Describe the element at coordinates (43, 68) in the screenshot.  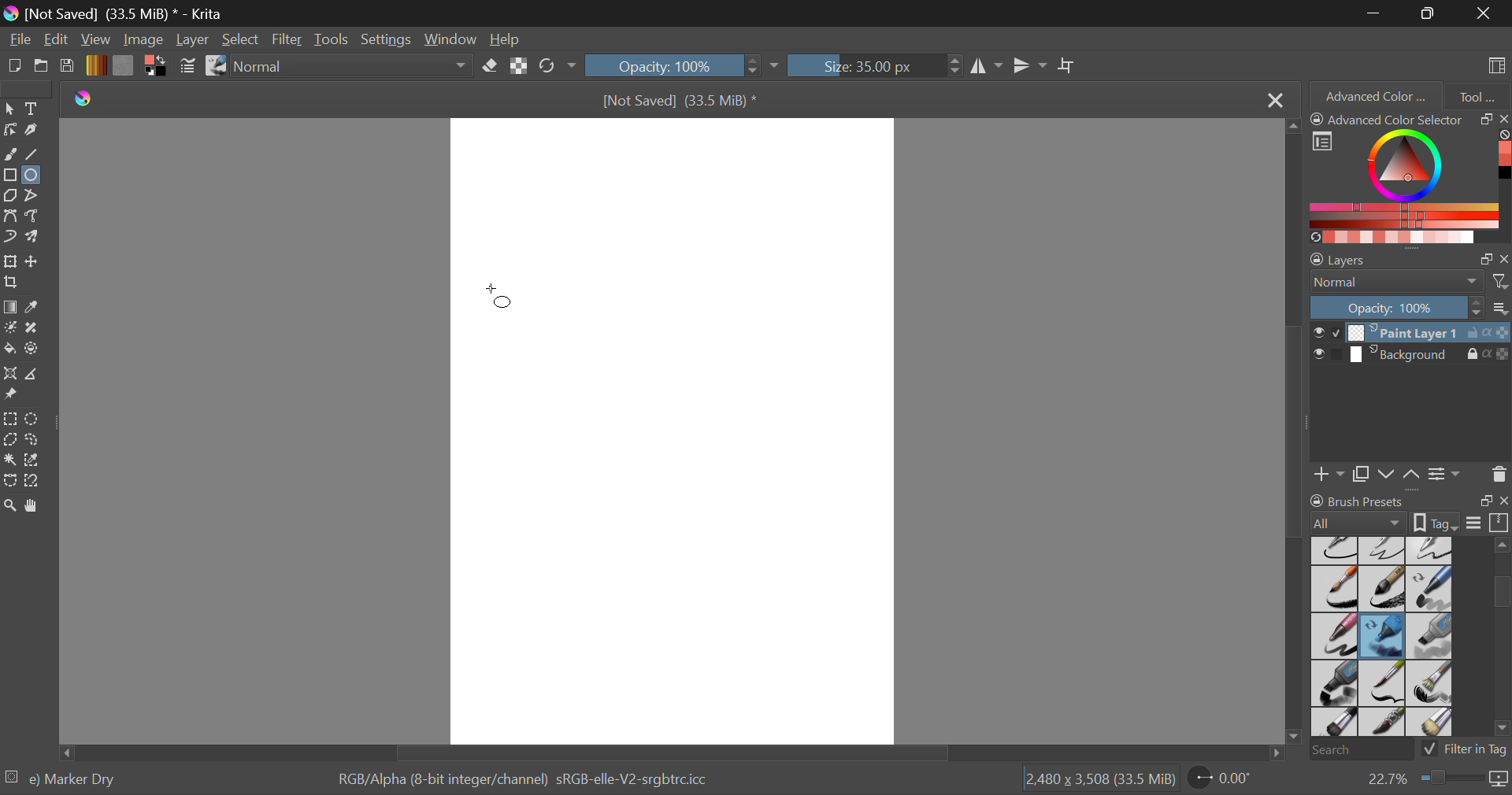
I see `Open` at that location.